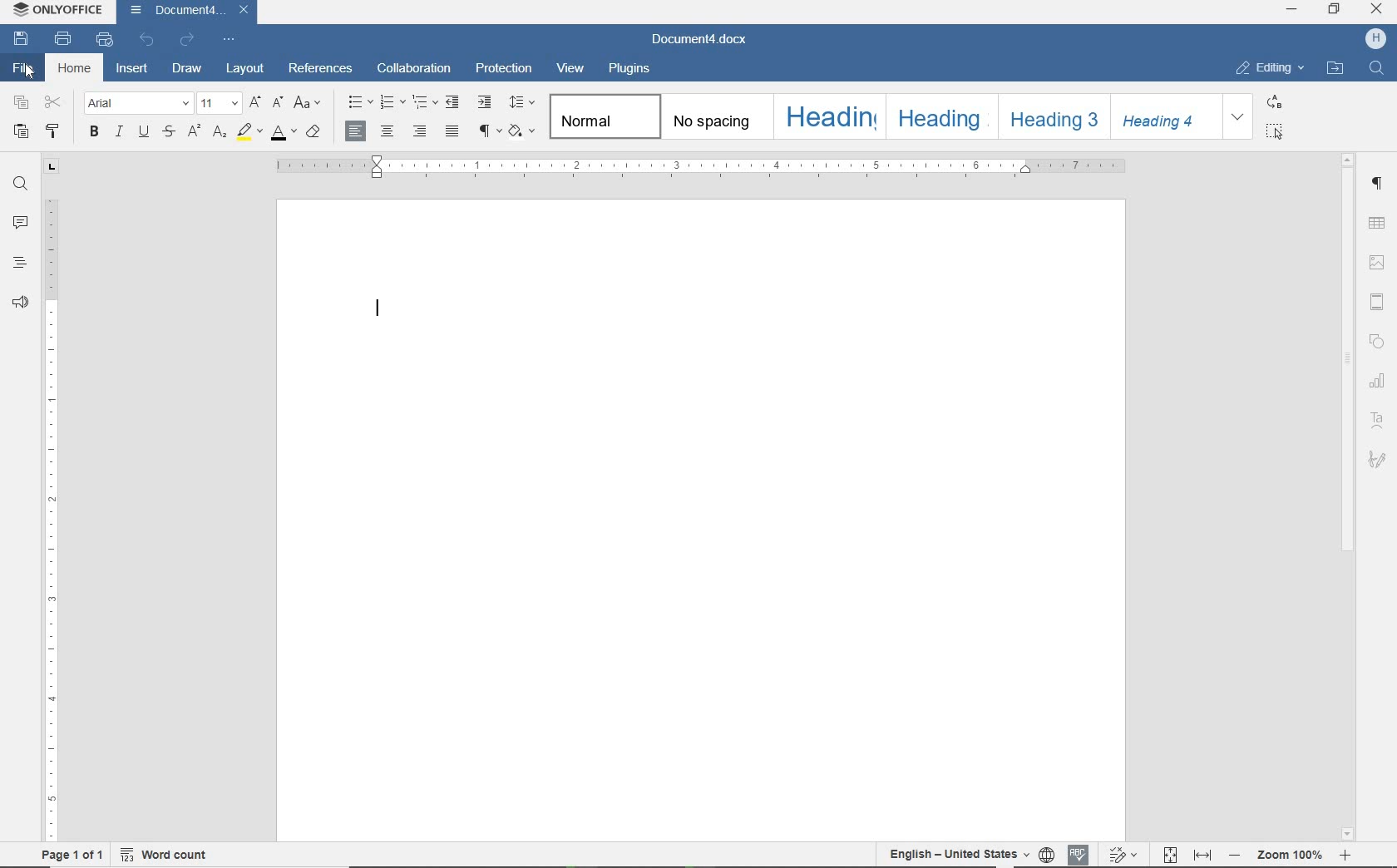 This screenshot has height=868, width=1397. Describe the element at coordinates (944, 117) in the screenshot. I see `Heading 2` at that location.